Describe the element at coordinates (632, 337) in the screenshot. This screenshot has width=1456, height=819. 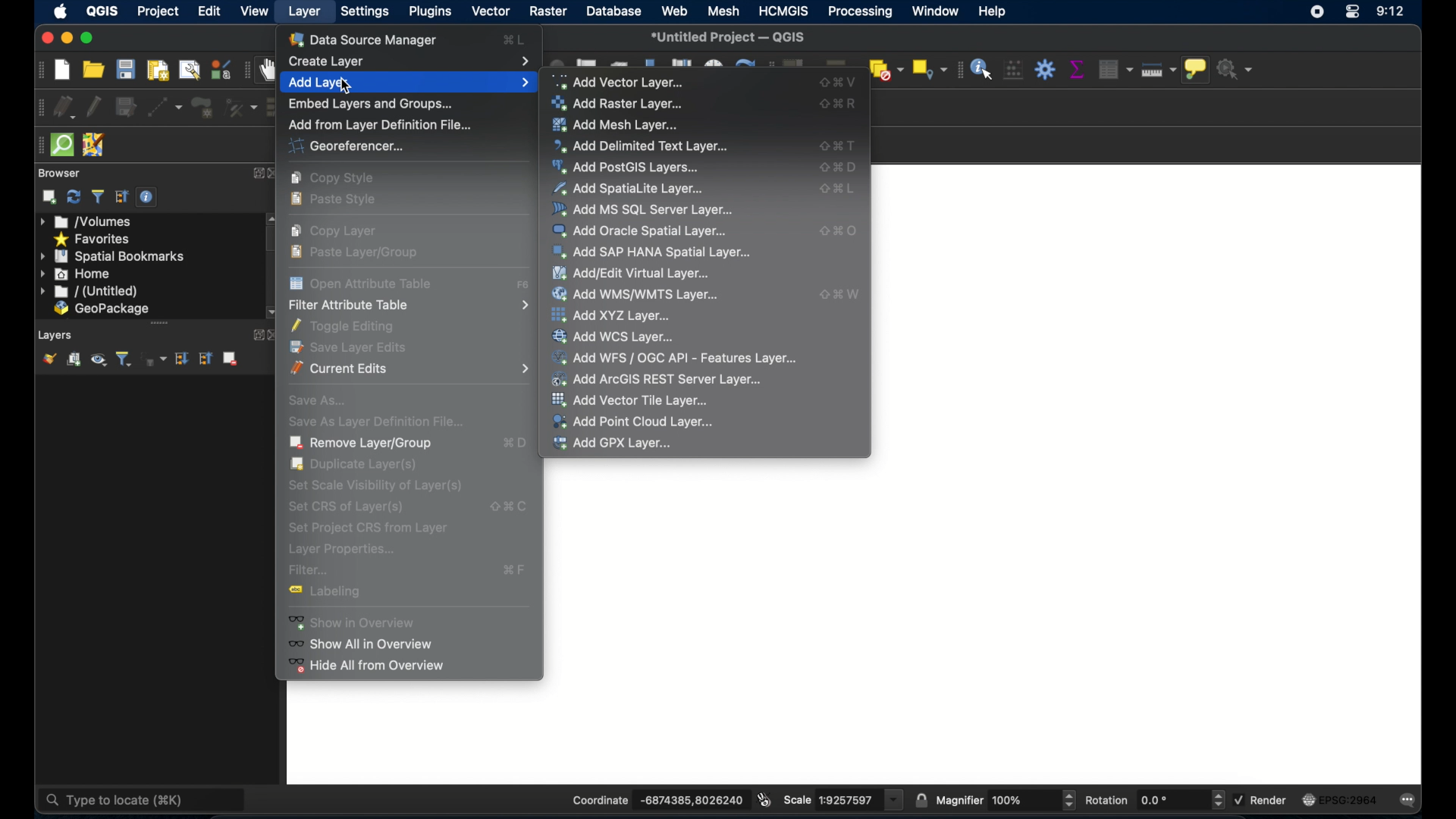
I see `Add WCS Layer...` at that location.